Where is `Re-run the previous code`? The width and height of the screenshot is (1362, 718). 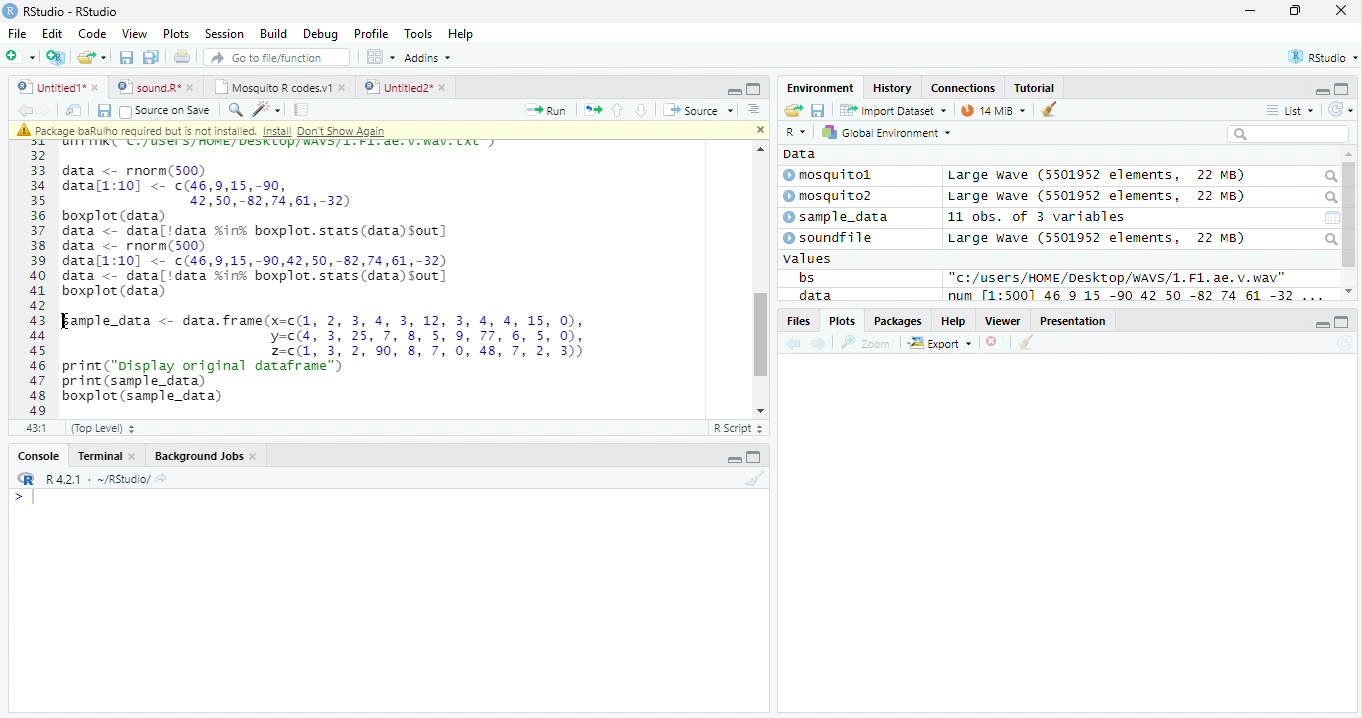
Re-run the previous code is located at coordinates (592, 110).